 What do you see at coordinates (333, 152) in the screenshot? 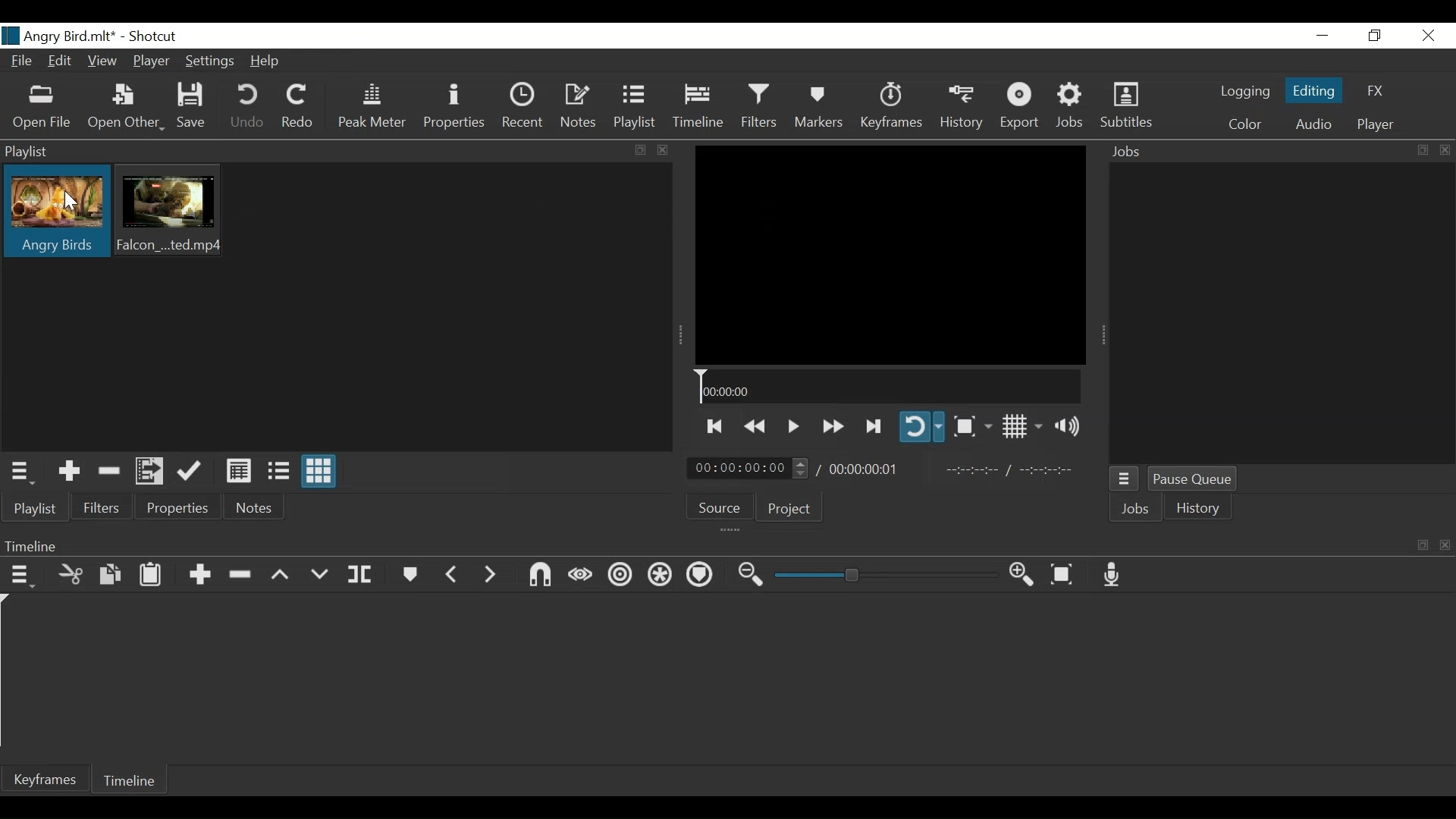
I see `Playlist Panel` at bounding box center [333, 152].